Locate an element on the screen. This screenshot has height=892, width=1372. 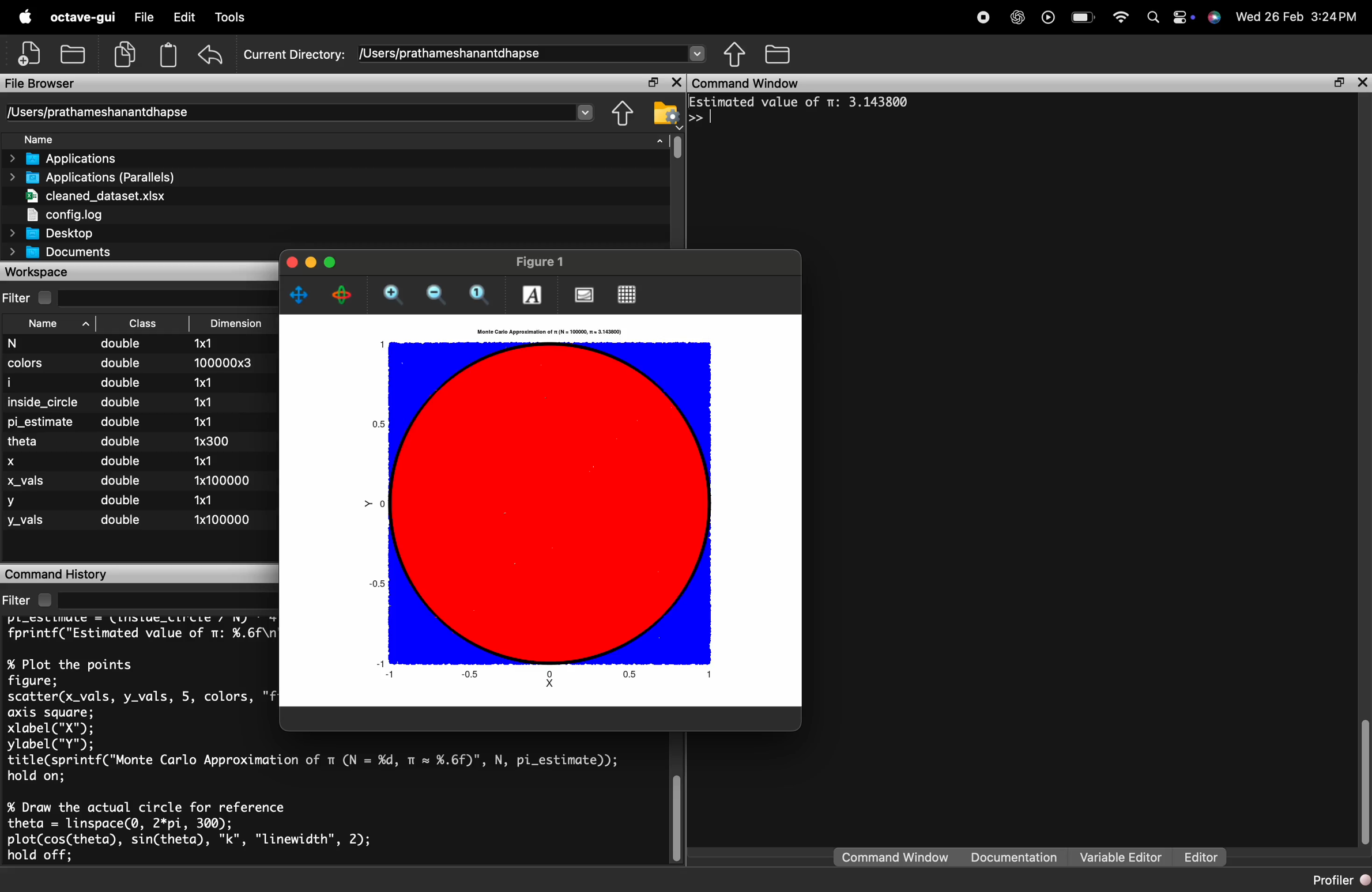
Close is located at coordinates (1362, 82).